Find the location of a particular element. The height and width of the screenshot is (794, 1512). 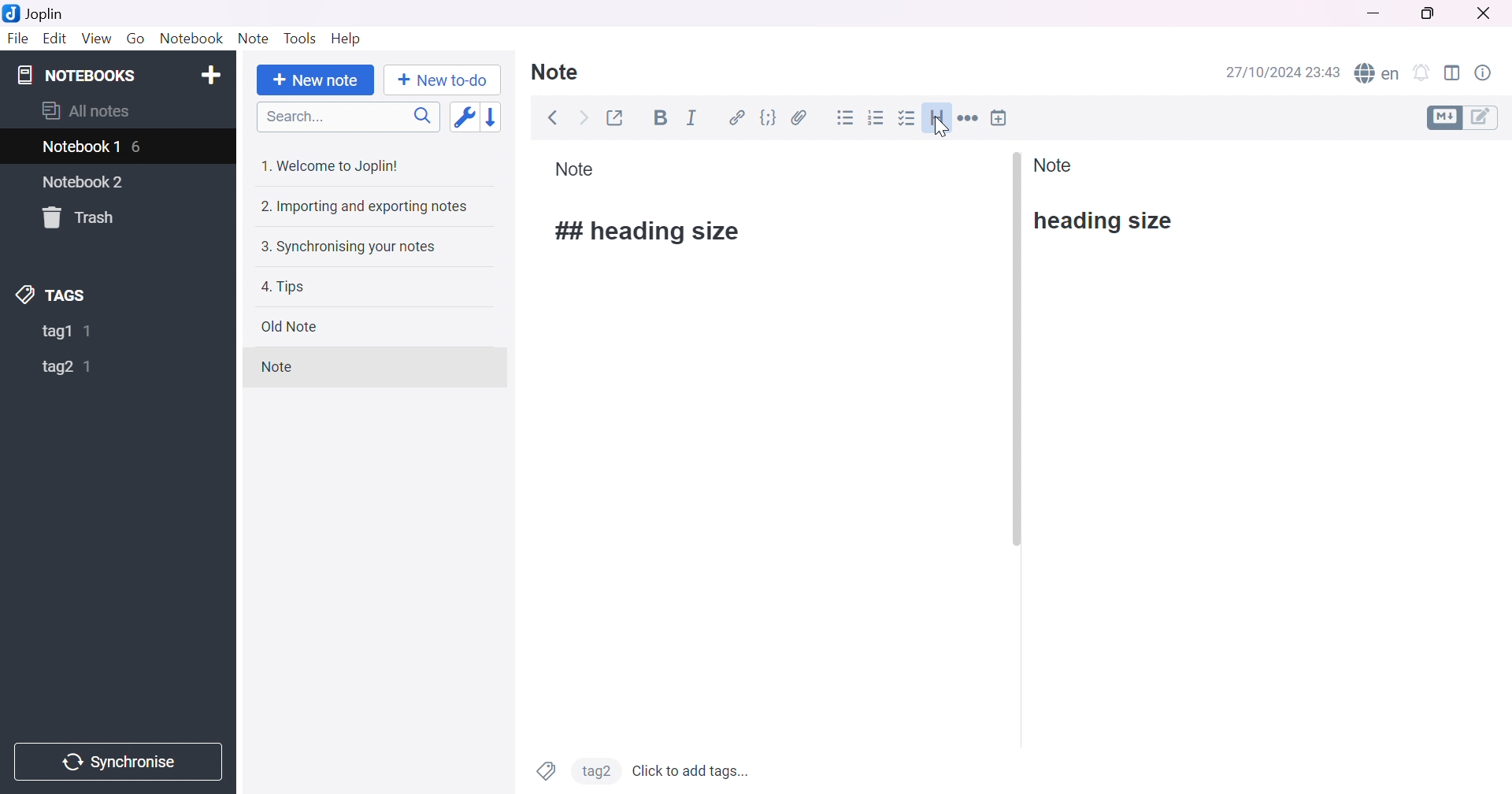

Bulleted List is located at coordinates (845, 118).